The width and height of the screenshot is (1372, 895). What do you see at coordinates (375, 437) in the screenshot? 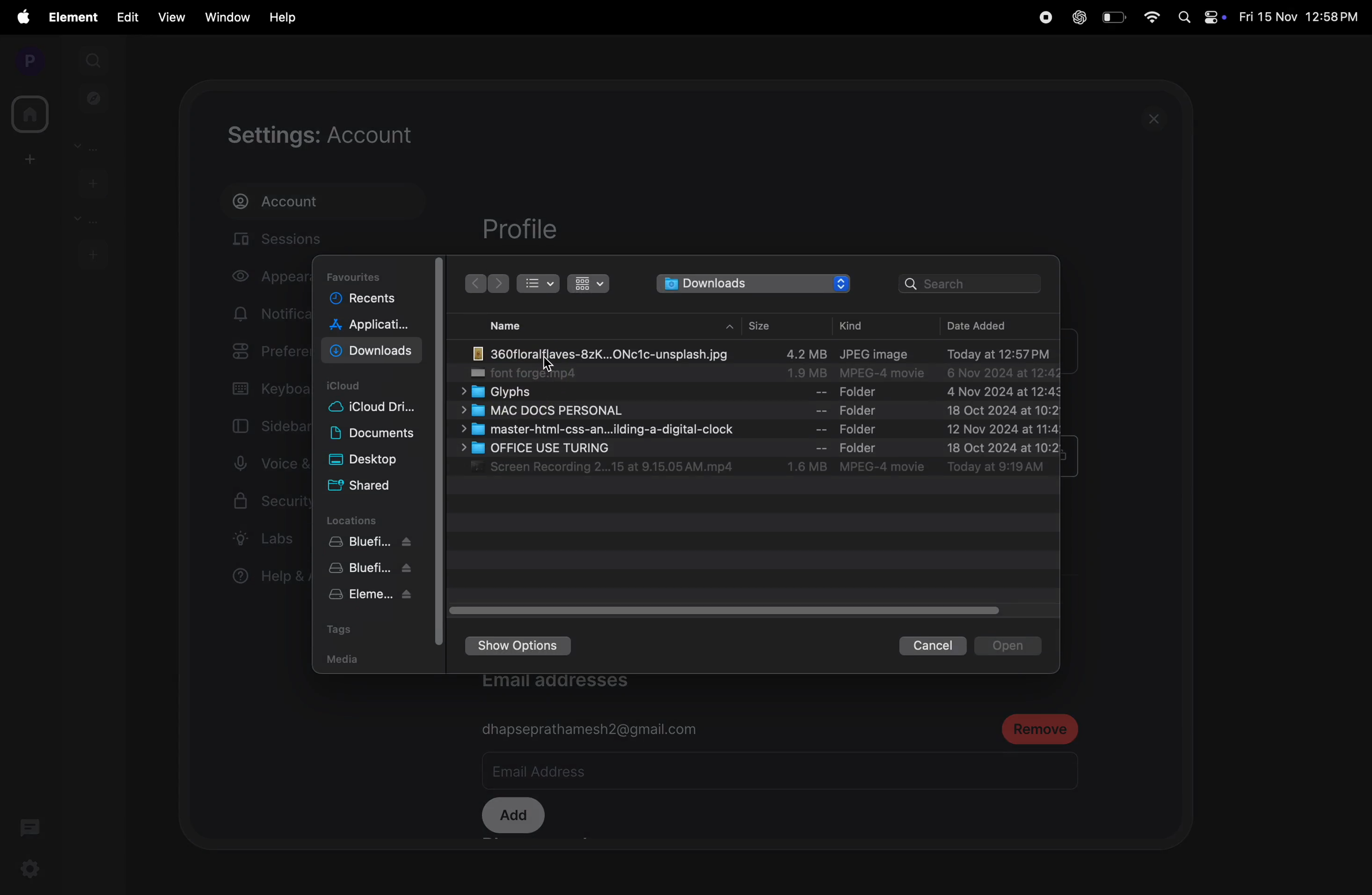
I see `Documents` at bounding box center [375, 437].